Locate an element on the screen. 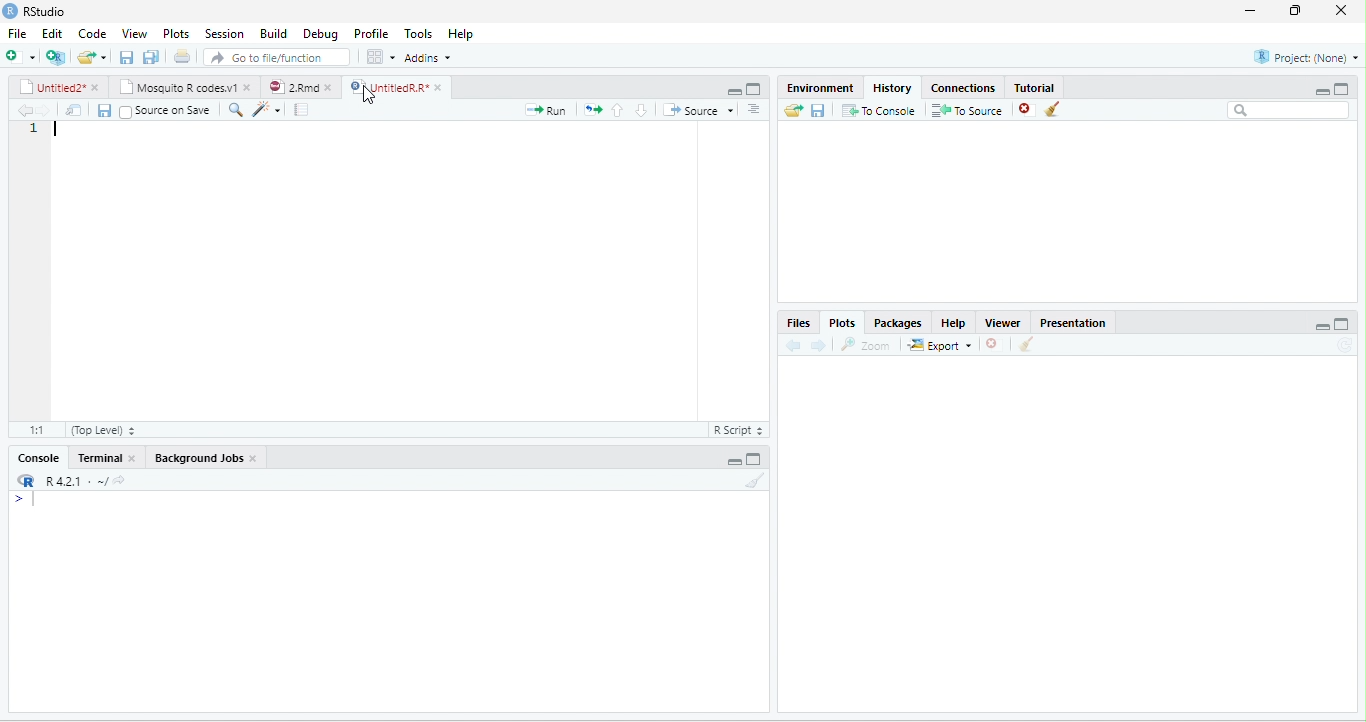  source is located at coordinates (701, 110).